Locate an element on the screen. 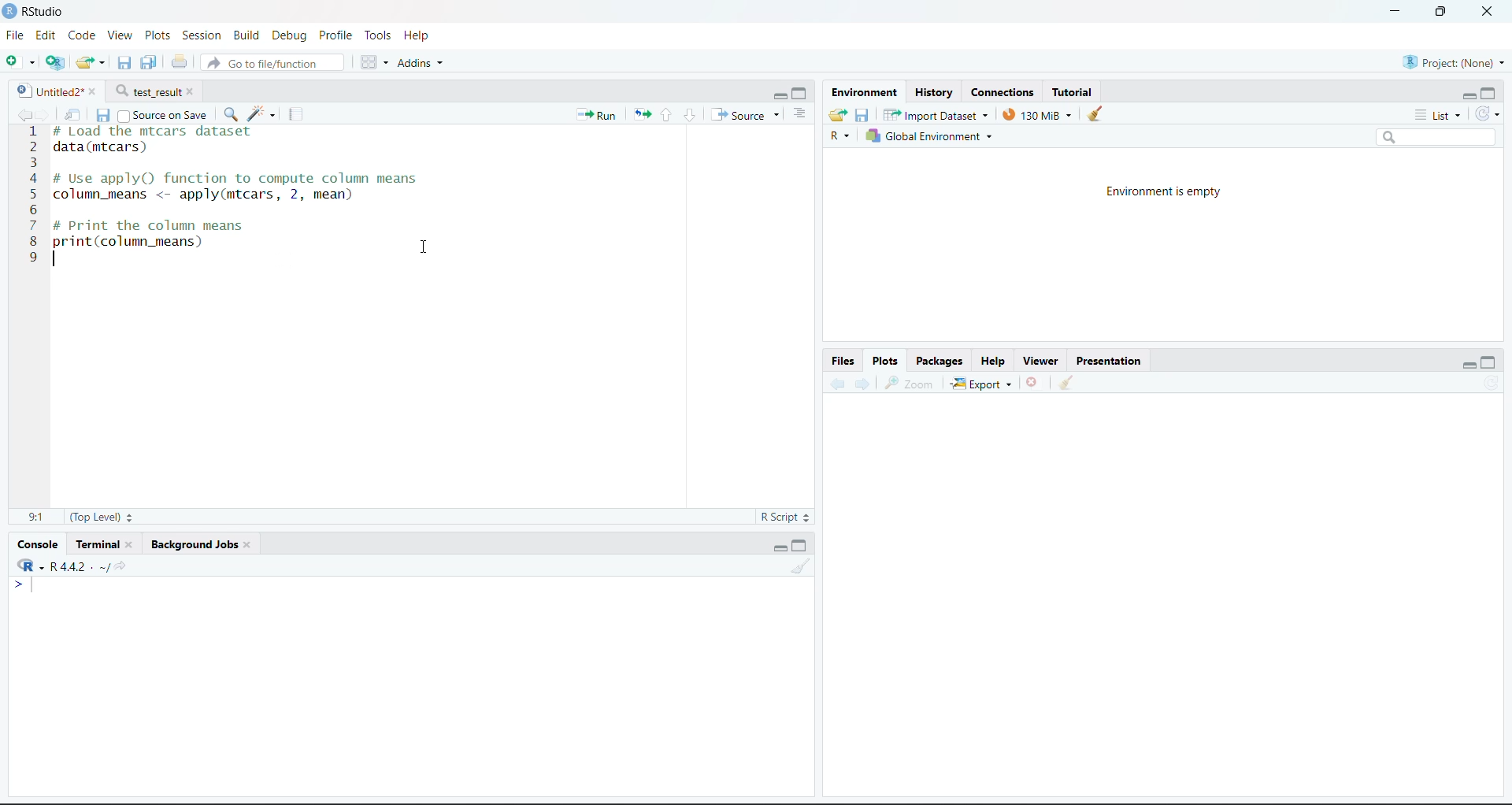  Maximize is located at coordinates (1490, 91).